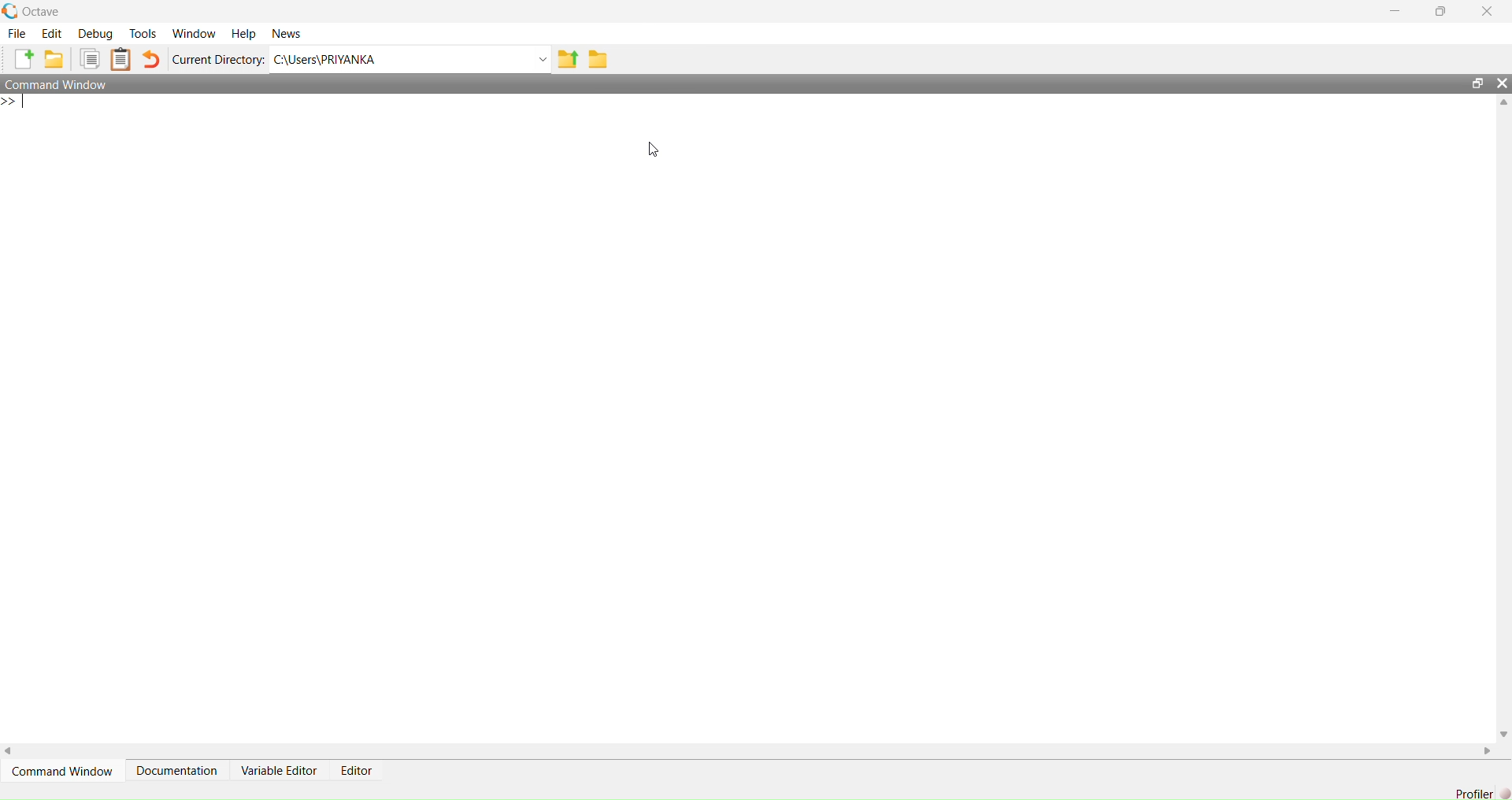 This screenshot has height=800, width=1512. Describe the element at coordinates (243, 33) in the screenshot. I see `Help` at that location.